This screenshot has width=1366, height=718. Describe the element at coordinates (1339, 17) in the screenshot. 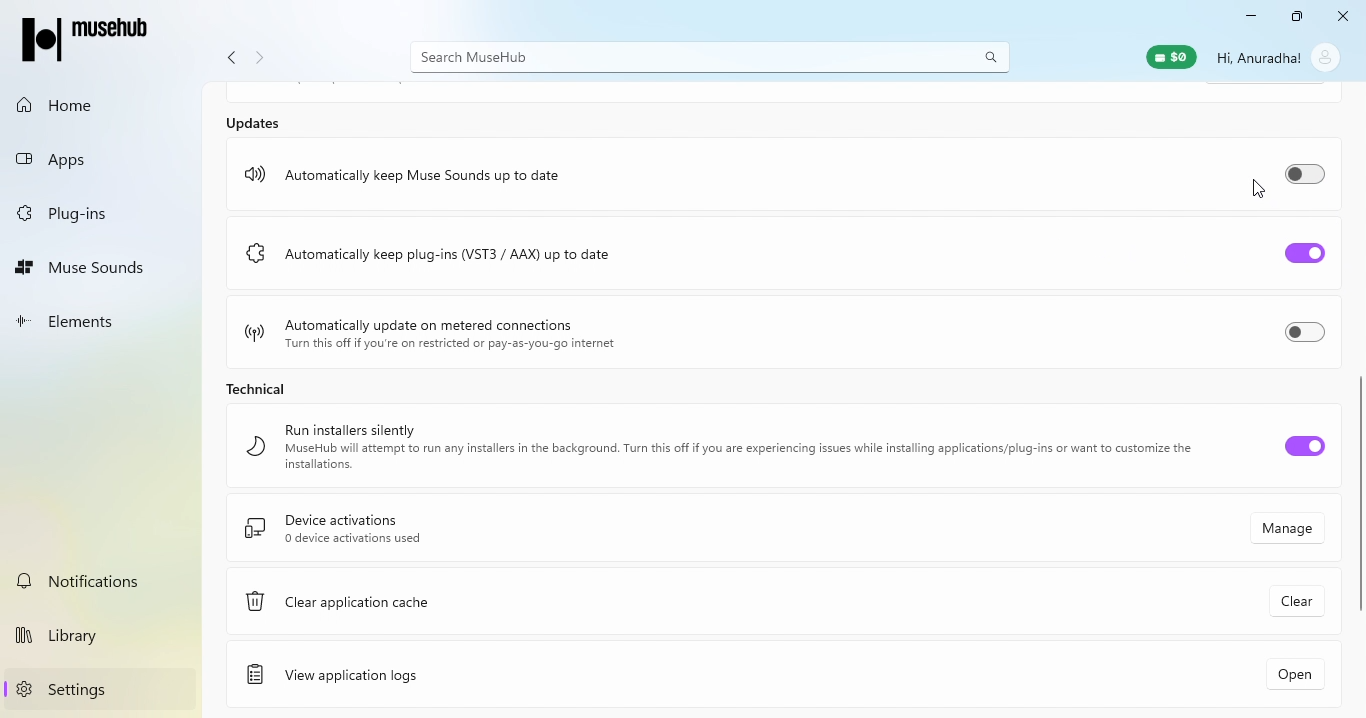

I see `Close` at that location.